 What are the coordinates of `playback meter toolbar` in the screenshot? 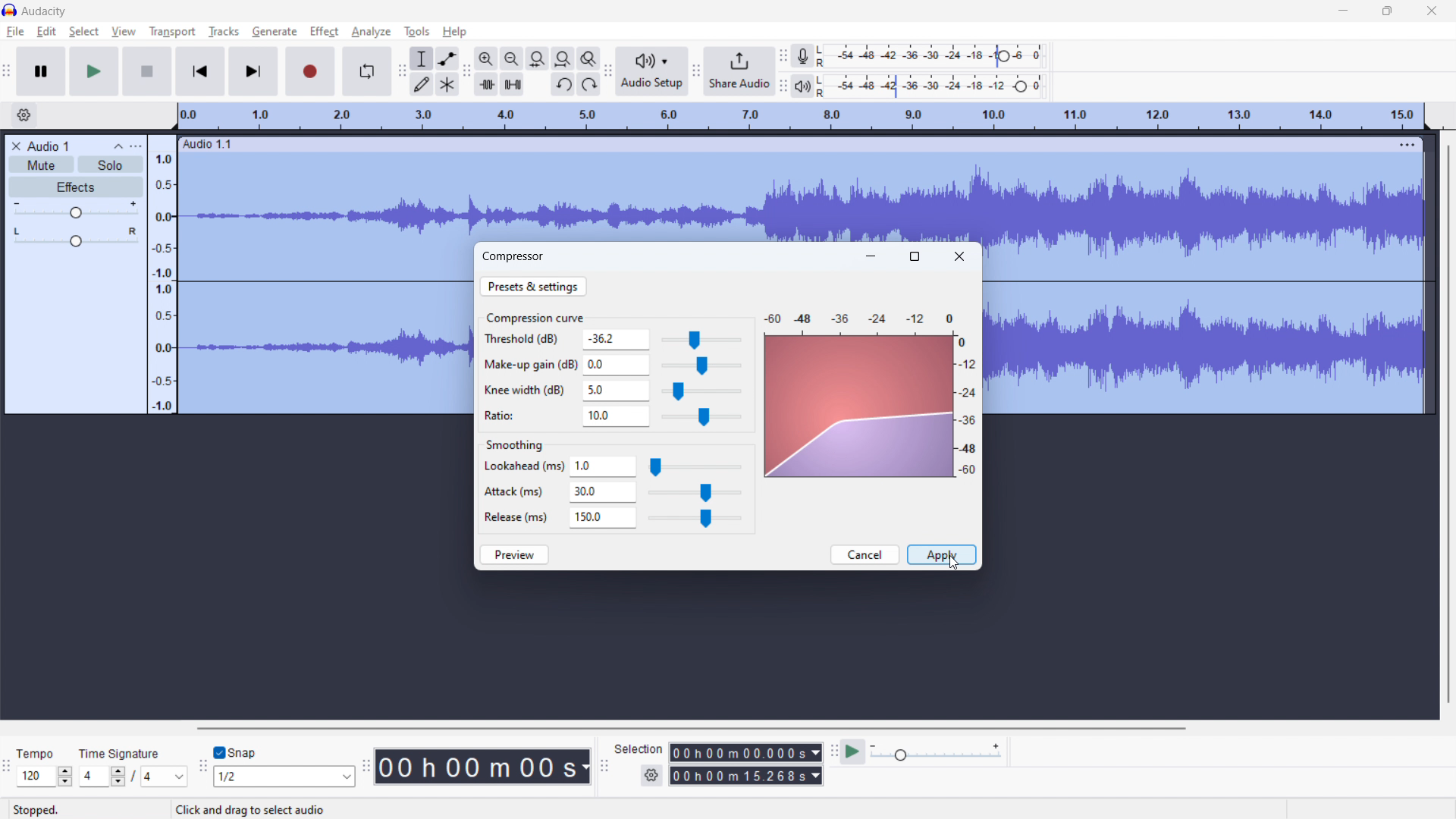 It's located at (783, 87).